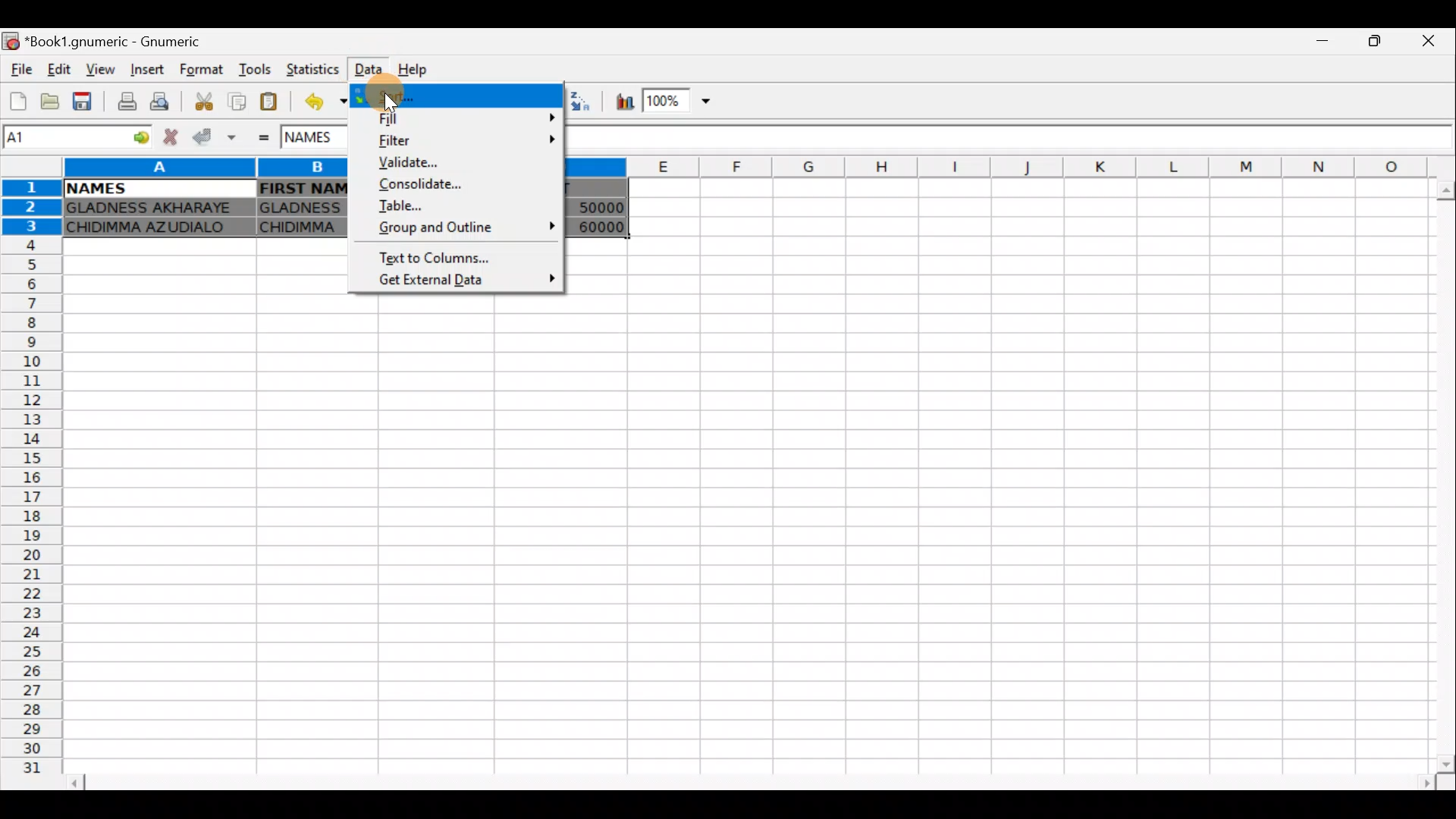  I want to click on Help, so click(423, 66).